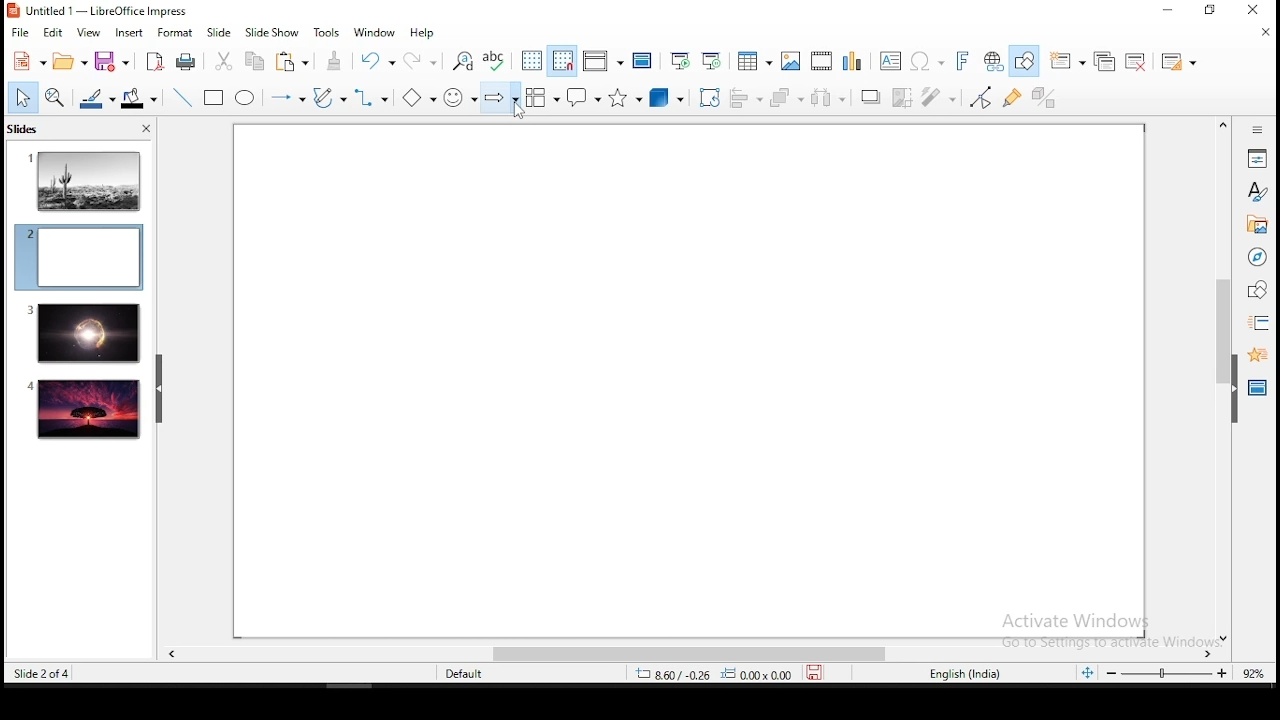 Image resolution: width=1280 pixels, height=720 pixels. What do you see at coordinates (668, 98) in the screenshot?
I see `3D objects` at bounding box center [668, 98].